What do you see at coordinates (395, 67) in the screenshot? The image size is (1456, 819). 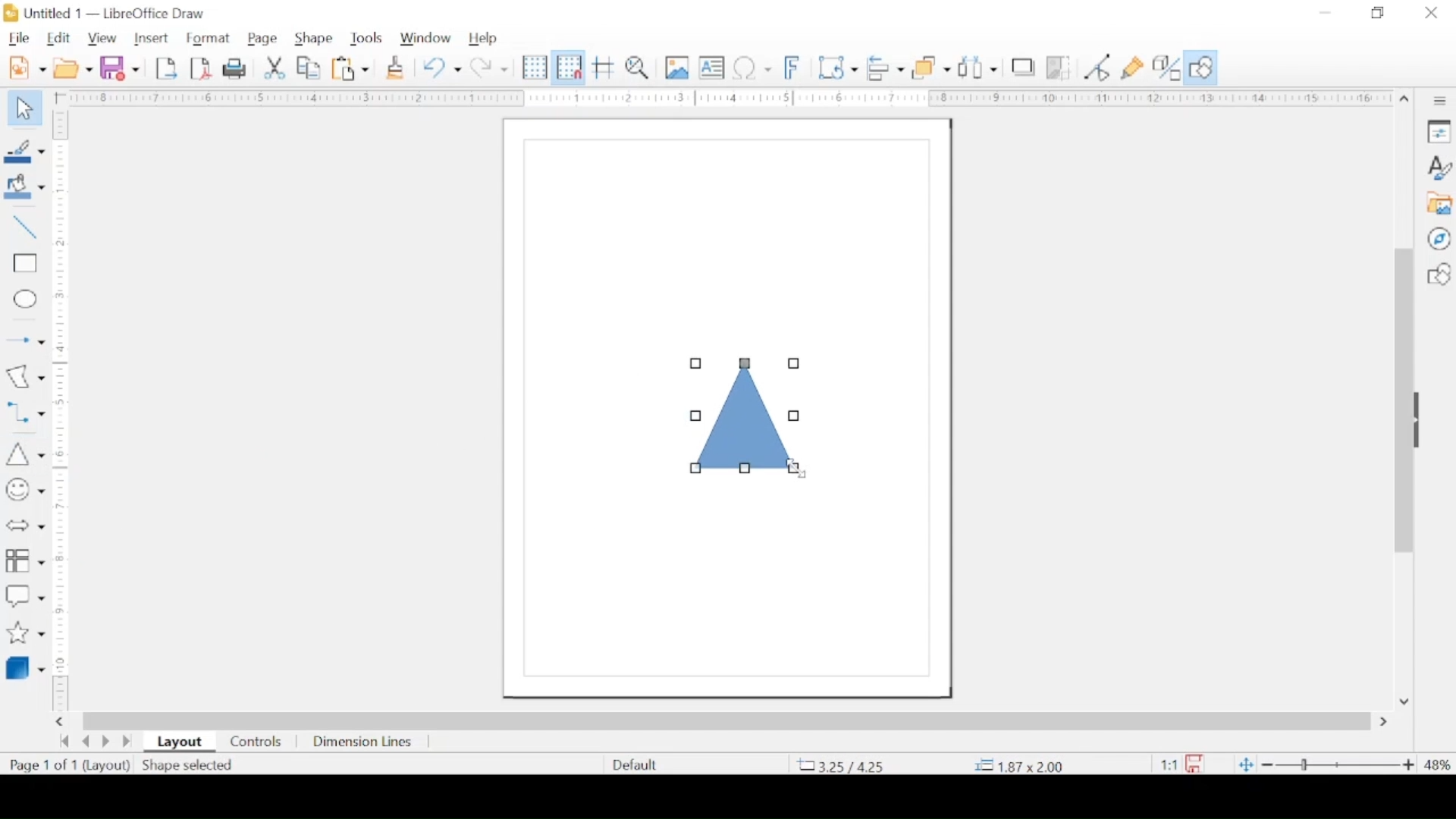 I see `clone formatting` at bounding box center [395, 67].